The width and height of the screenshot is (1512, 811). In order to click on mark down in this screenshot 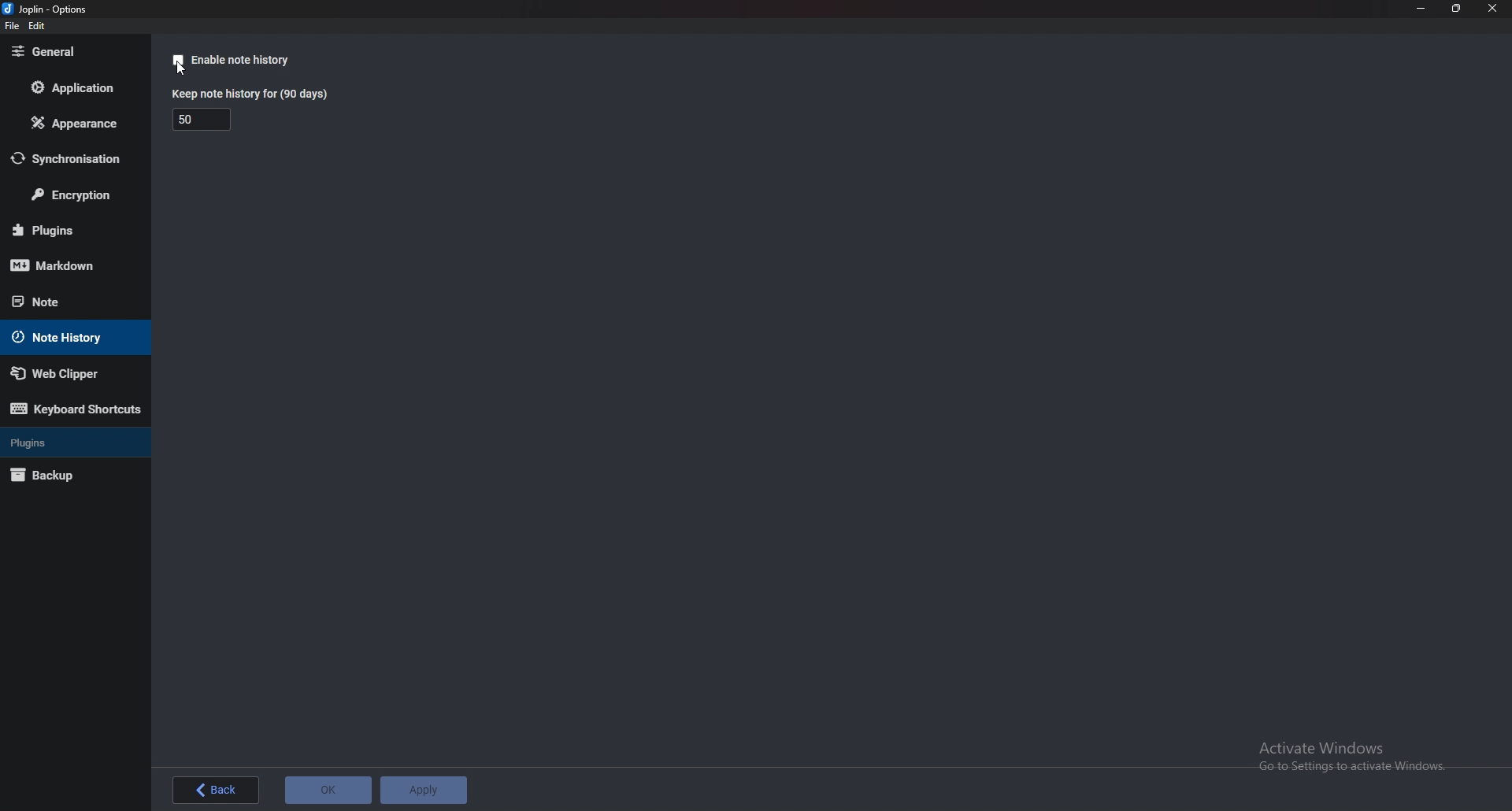, I will do `click(70, 267)`.